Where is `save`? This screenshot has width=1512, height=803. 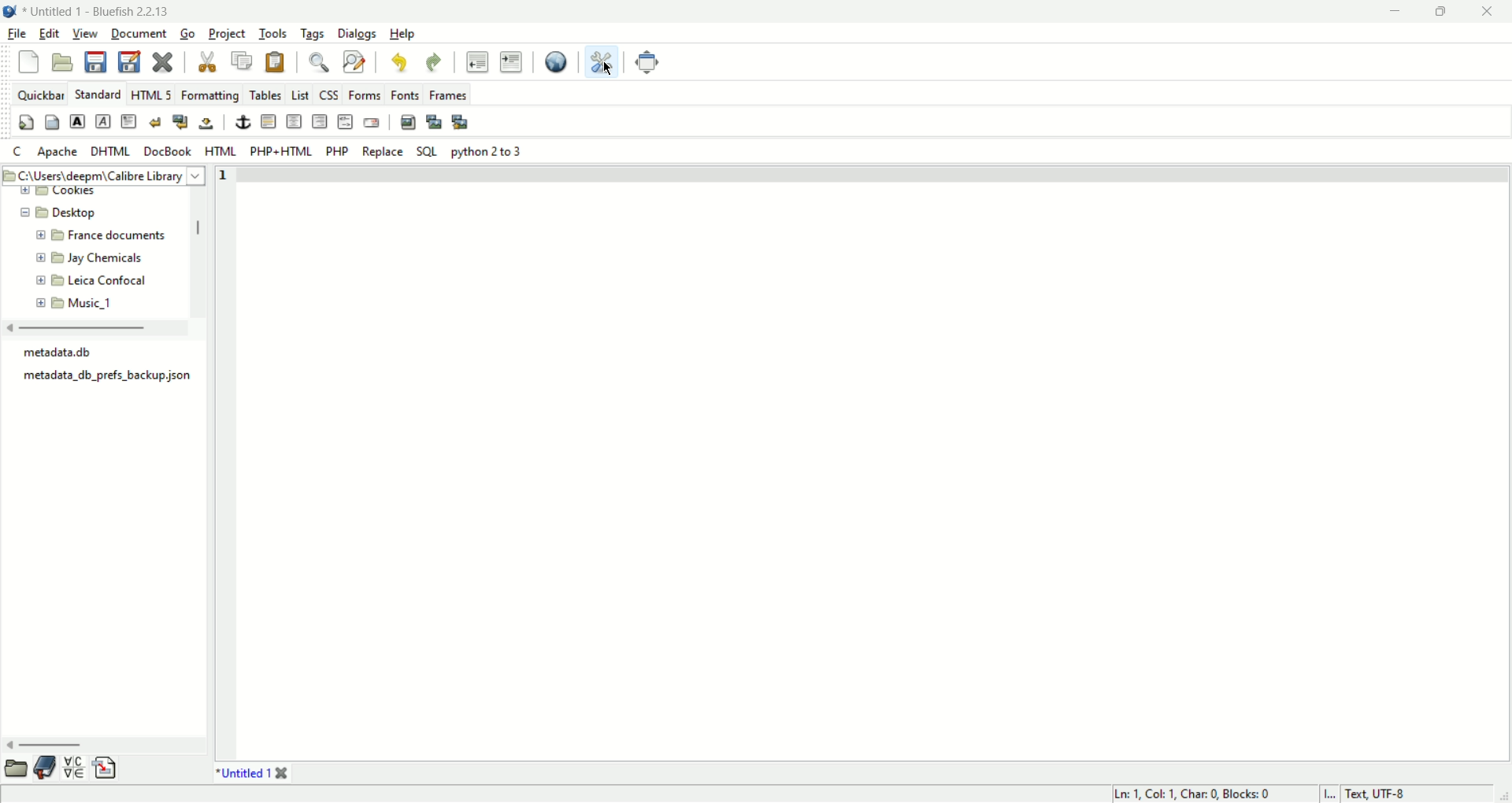 save is located at coordinates (95, 62).